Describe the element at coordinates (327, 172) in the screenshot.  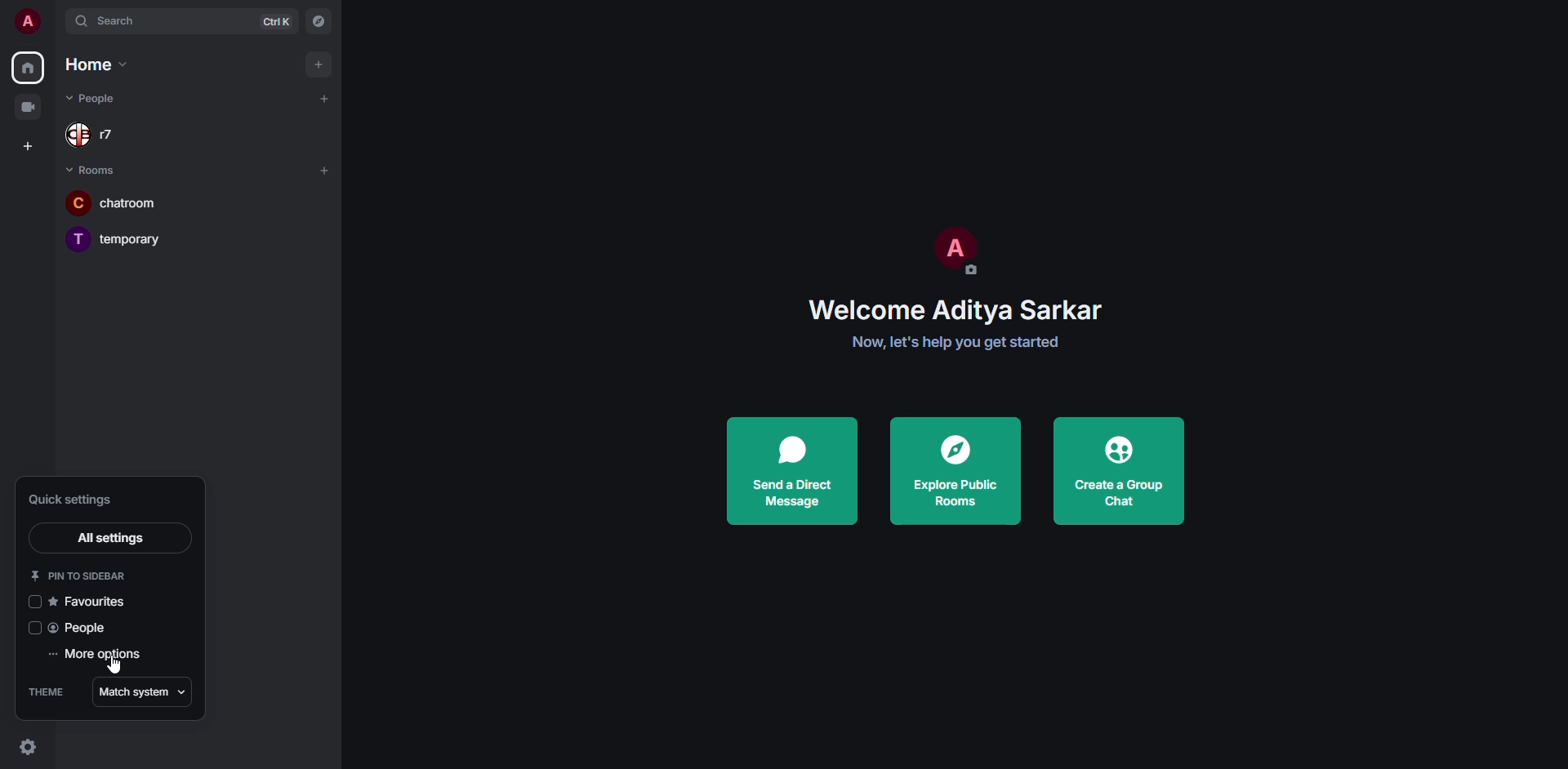
I see `add` at that location.